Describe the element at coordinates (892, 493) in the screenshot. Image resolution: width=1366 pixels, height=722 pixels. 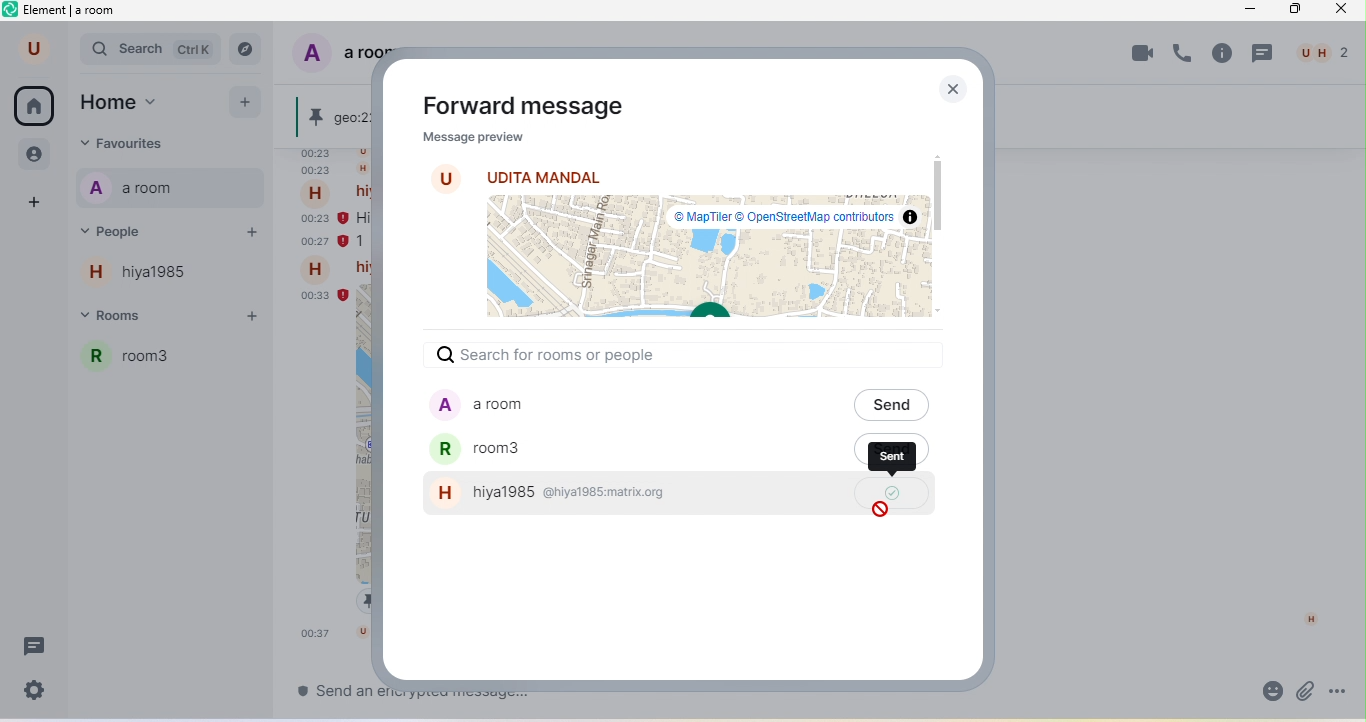
I see `tick mark` at that location.